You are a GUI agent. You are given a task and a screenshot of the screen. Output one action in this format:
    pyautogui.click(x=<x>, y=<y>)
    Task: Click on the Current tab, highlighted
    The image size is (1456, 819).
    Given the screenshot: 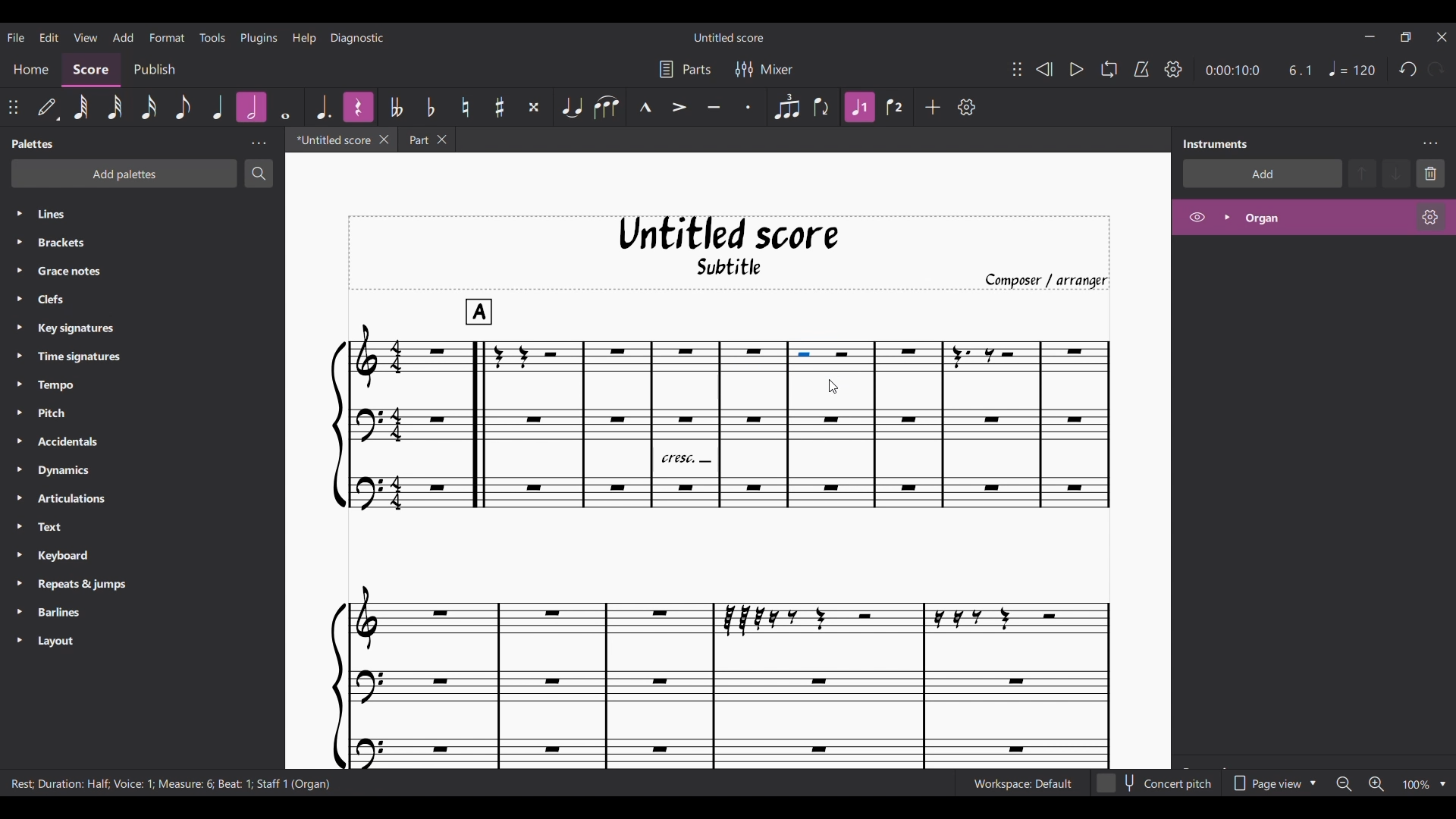 What is the action you would take?
    pyautogui.click(x=332, y=140)
    